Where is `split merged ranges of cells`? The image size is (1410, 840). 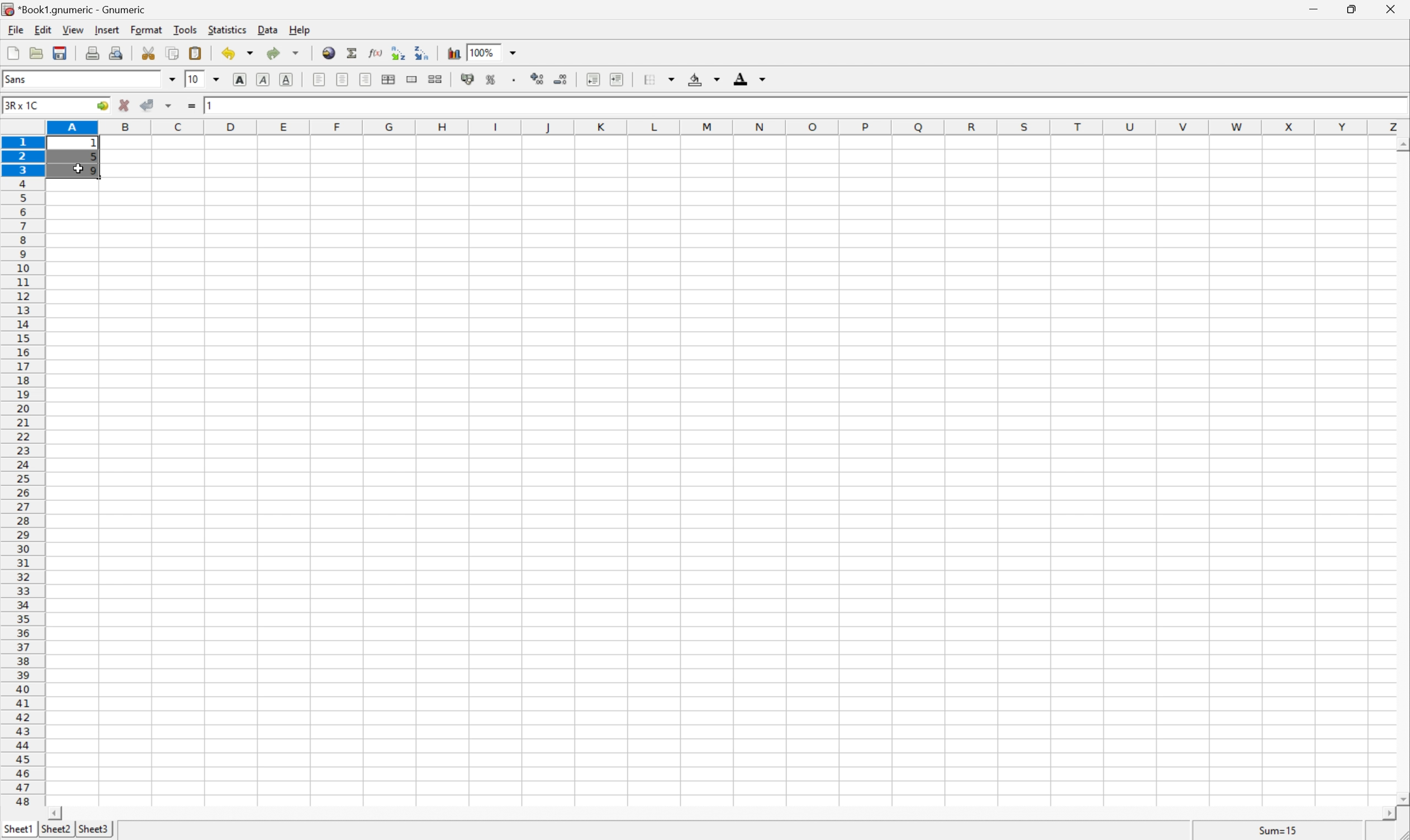
split merged ranges of cells is located at coordinates (437, 78).